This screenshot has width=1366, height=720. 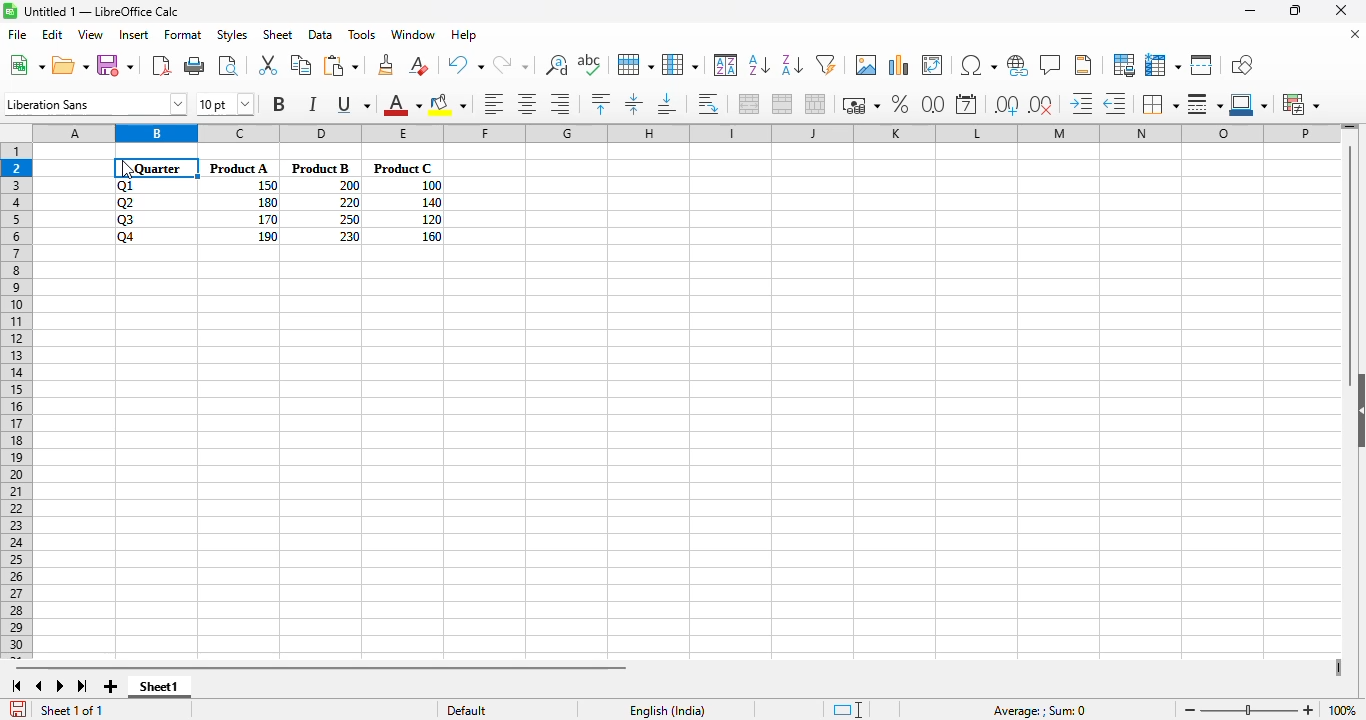 What do you see at coordinates (668, 104) in the screenshot?
I see `align bottom` at bounding box center [668, 104].